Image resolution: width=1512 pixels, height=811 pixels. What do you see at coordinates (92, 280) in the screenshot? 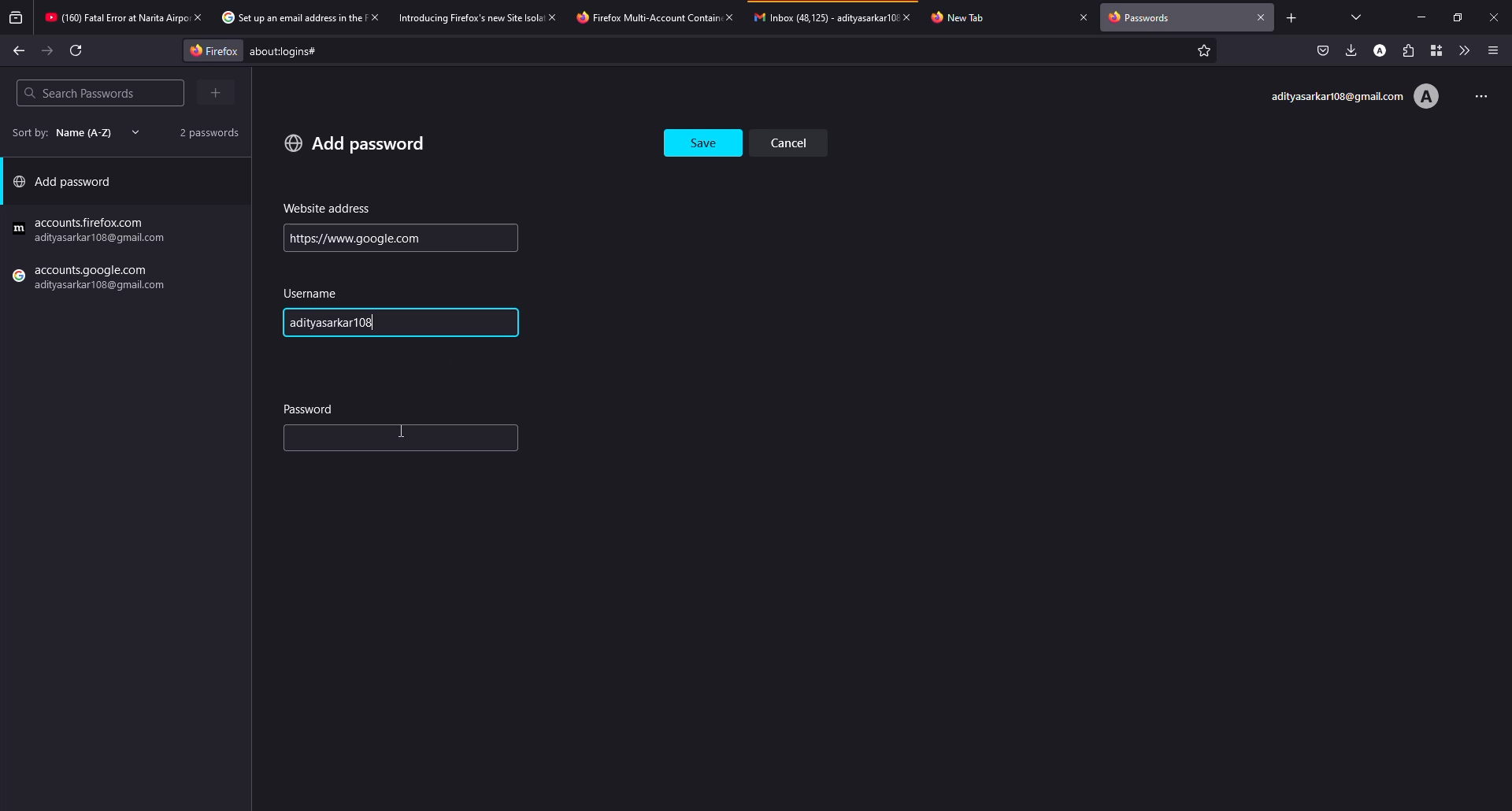
I see `firefox` at bounding box center [92, 280].